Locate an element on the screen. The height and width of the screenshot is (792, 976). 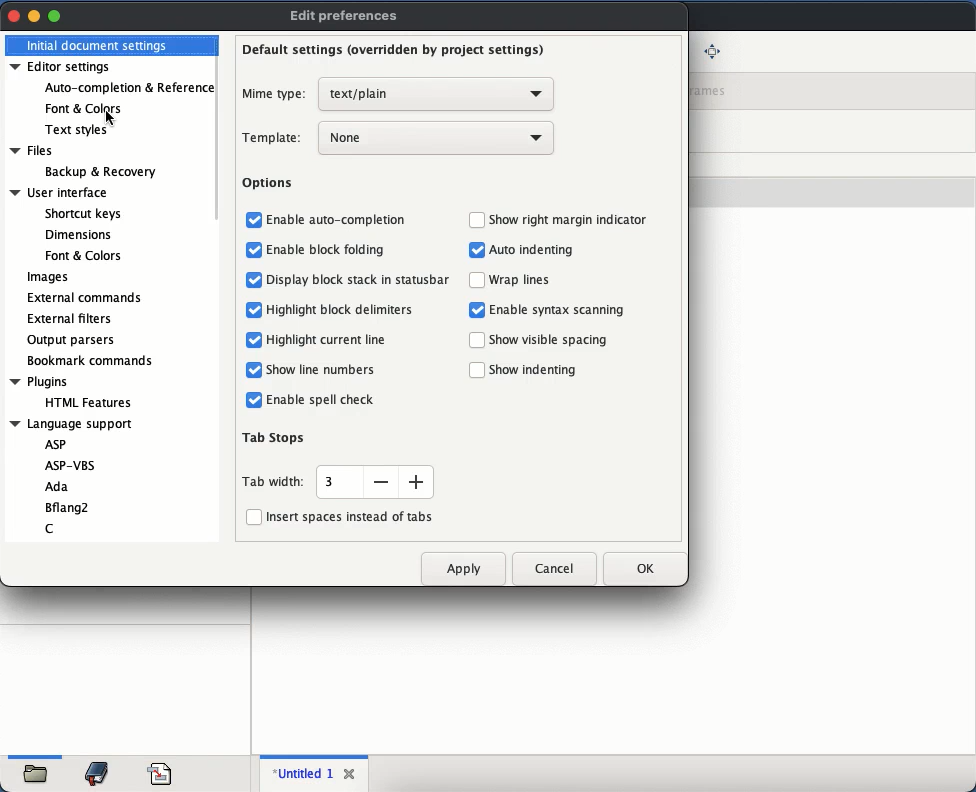
Enable syntax scanning is located at coordinates (558, 309).